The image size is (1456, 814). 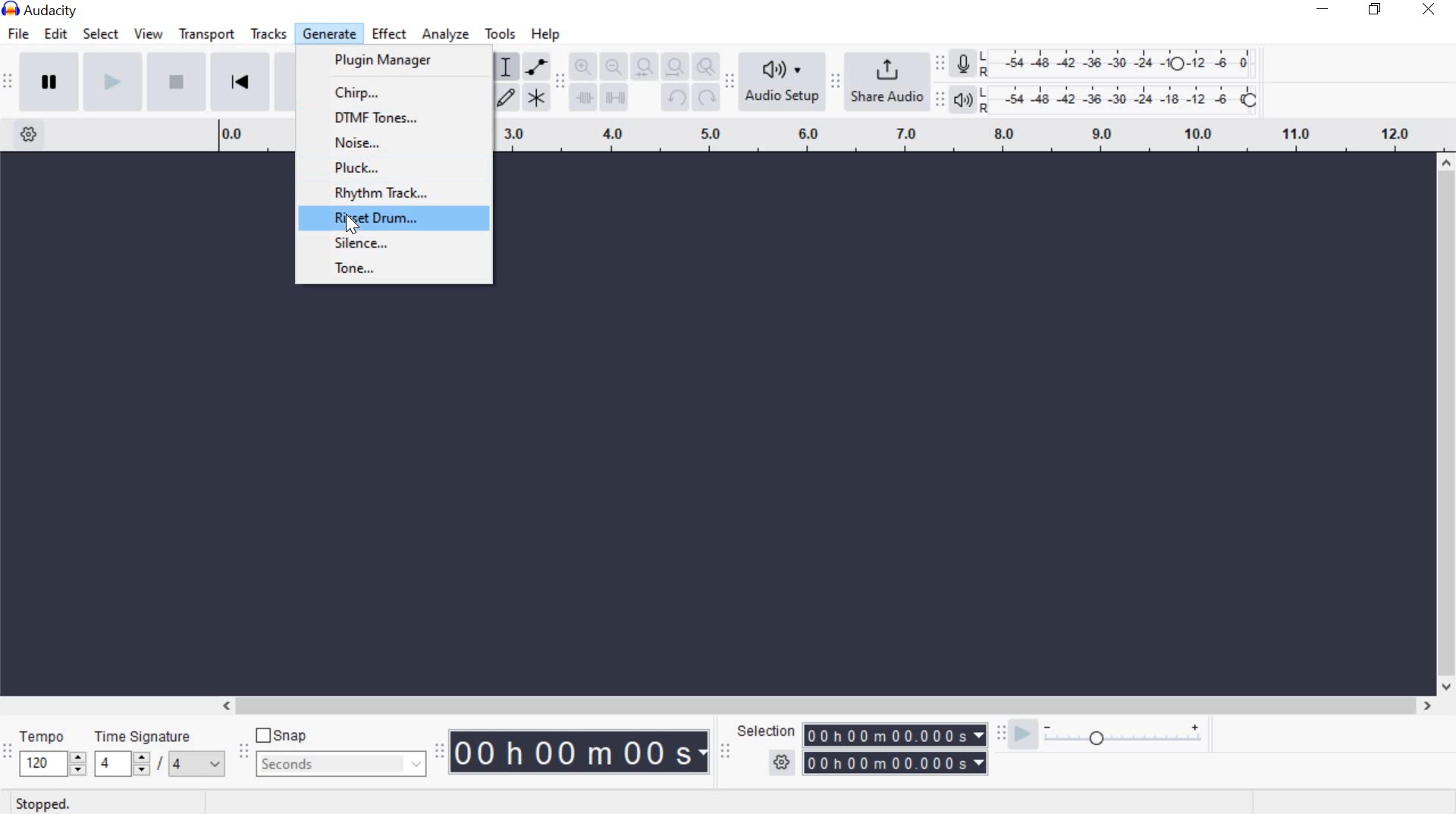 I want to click on scrollbar, so click(x=822, y=705).